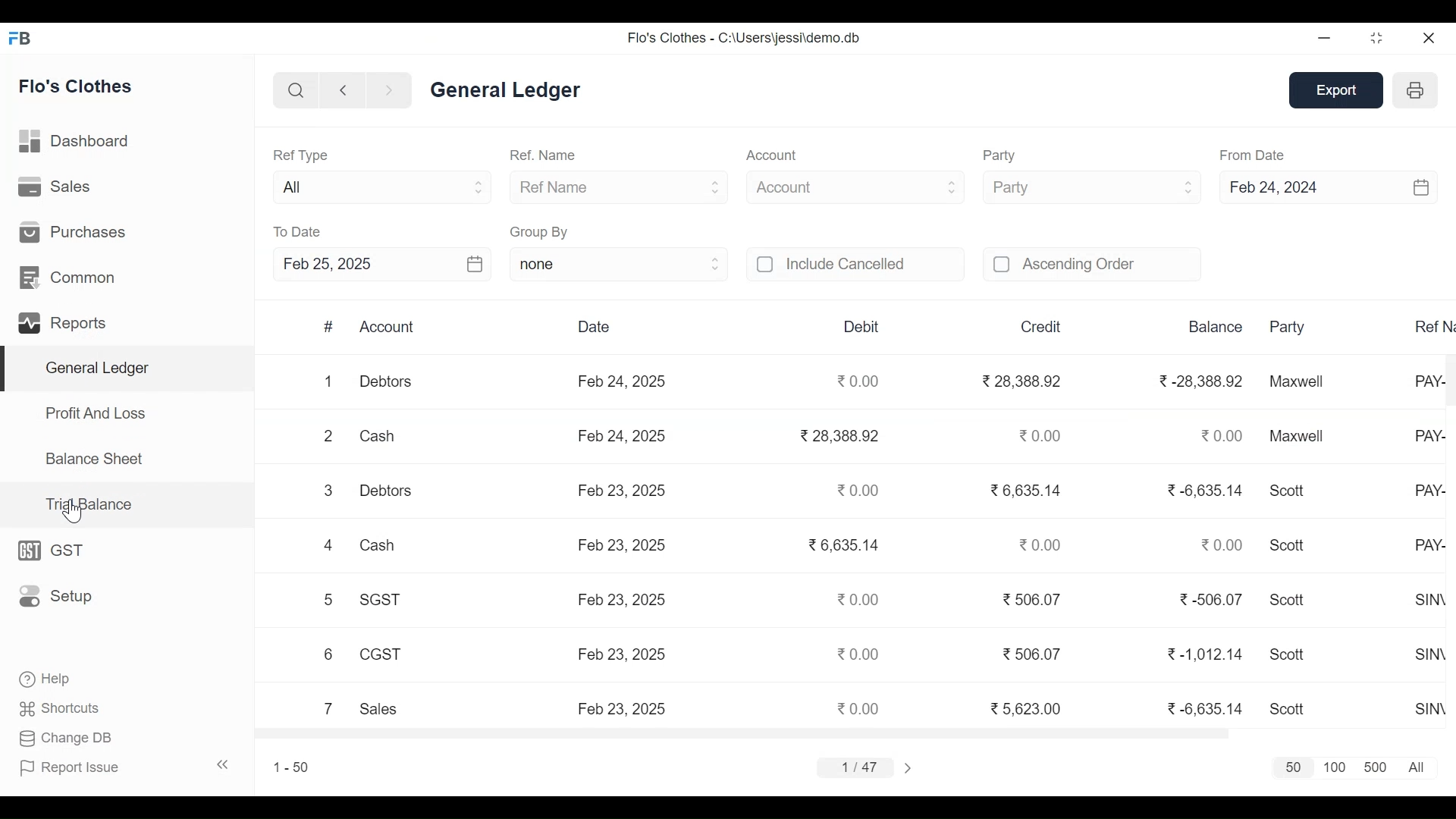 Image resolution: width=1456 pixels, height=819 pixels. Describe the element at coordinates (1429, 435) in the screenshot. I see `PAY-` at that location.